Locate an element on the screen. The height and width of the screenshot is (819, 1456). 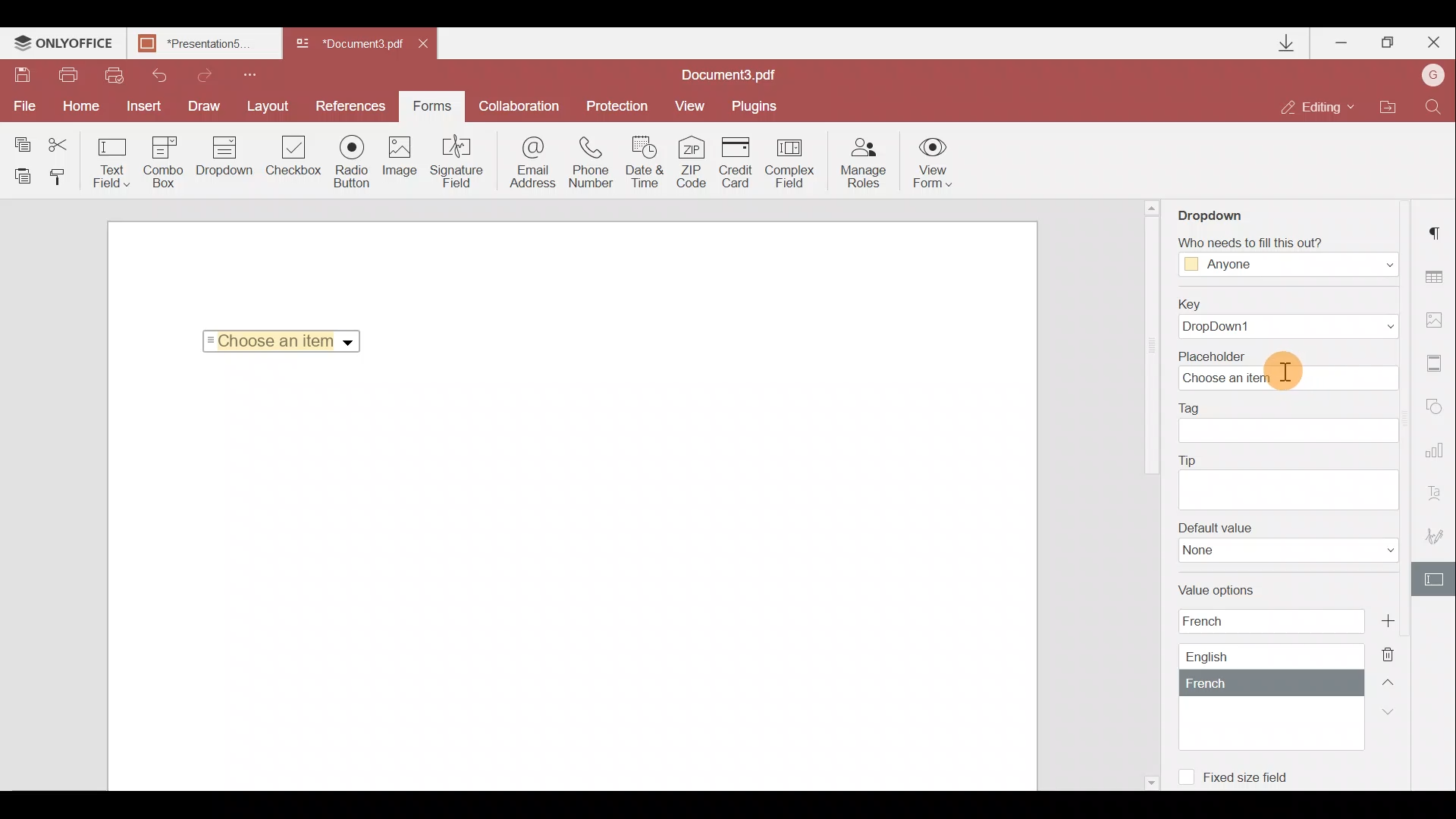
Text field is located at coordinates (112, 162).